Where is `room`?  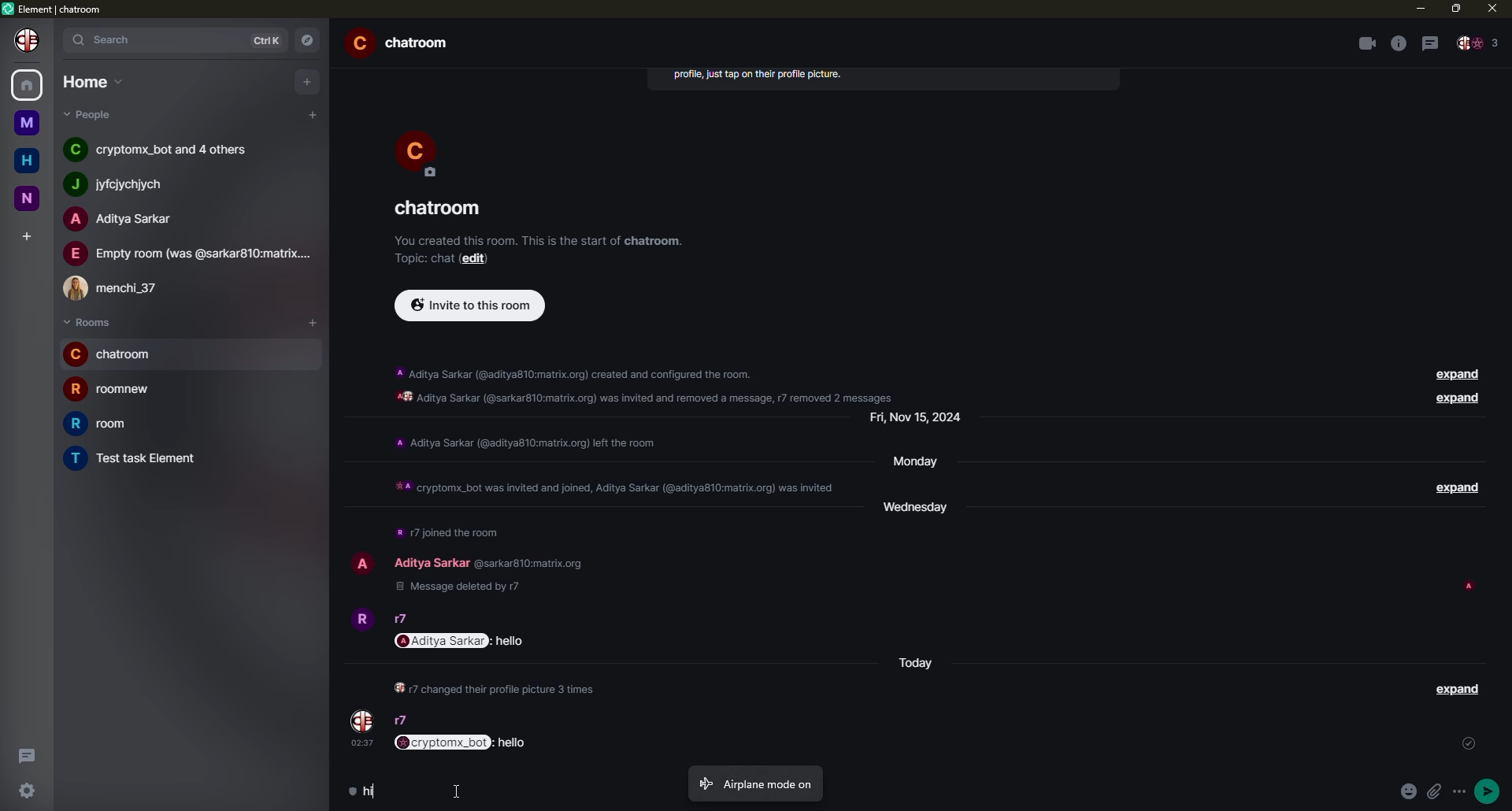
room is located at coordinates (442, 209).